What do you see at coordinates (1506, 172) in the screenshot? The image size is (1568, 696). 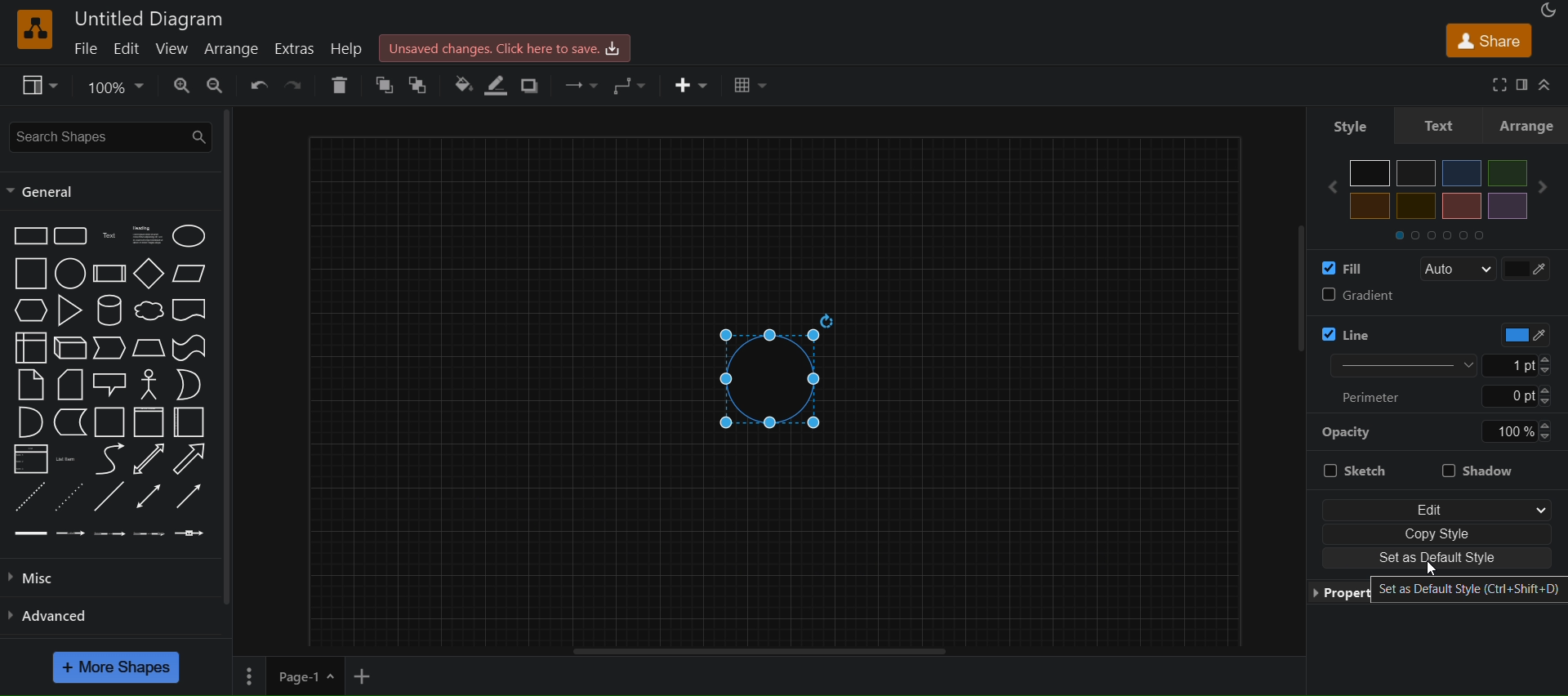 I see `green color` at bounding box center [1506, 172].